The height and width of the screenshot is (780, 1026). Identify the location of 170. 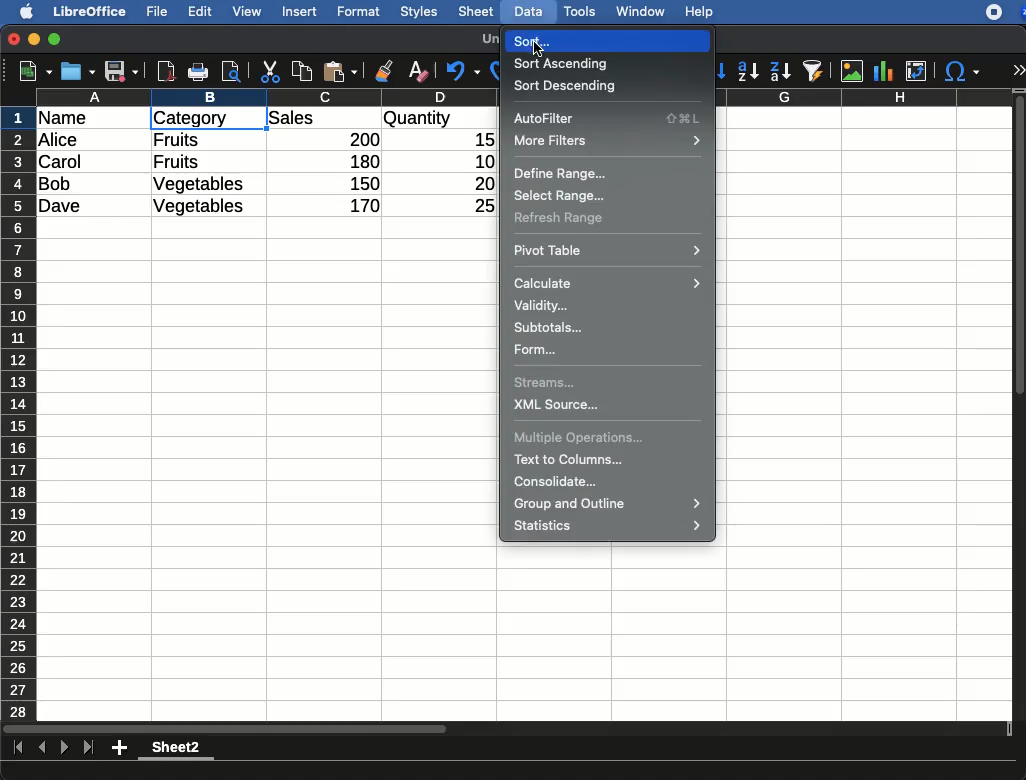
(359, 206).